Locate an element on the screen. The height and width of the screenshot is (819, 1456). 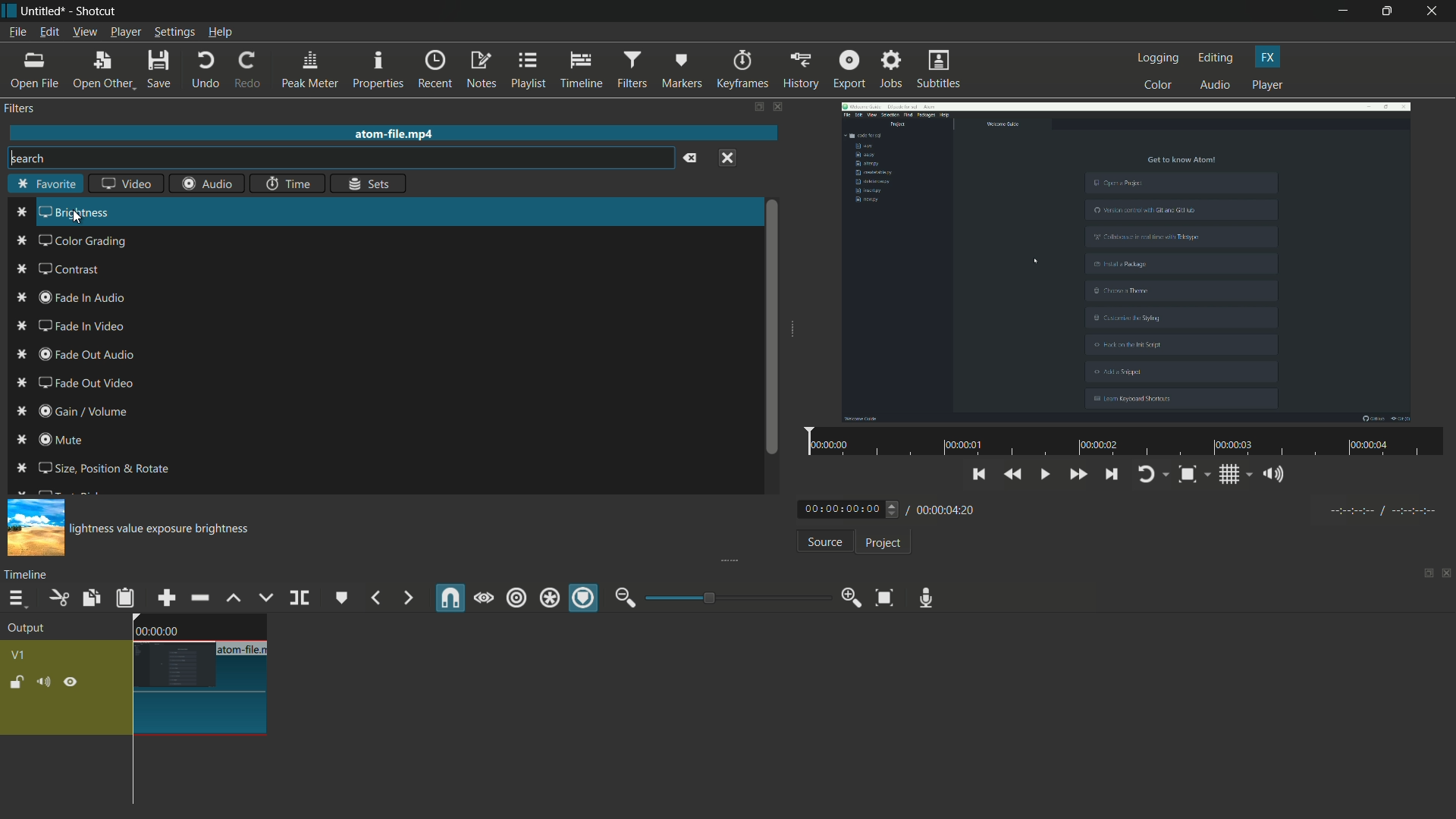
timecodes is located at coordinates (1381, 508).